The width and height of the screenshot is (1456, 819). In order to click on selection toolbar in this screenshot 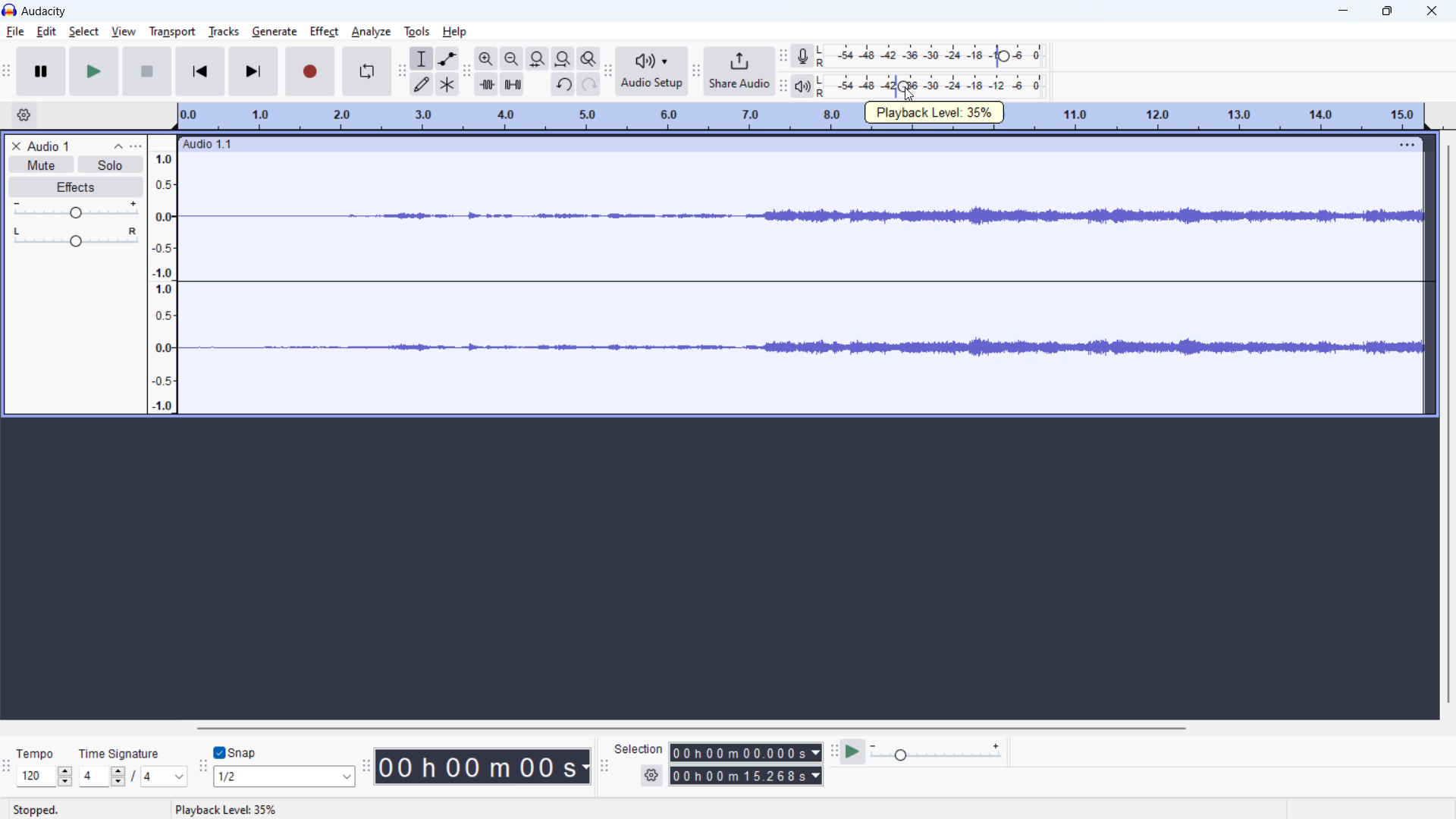, I will do `click(604, 767)`.